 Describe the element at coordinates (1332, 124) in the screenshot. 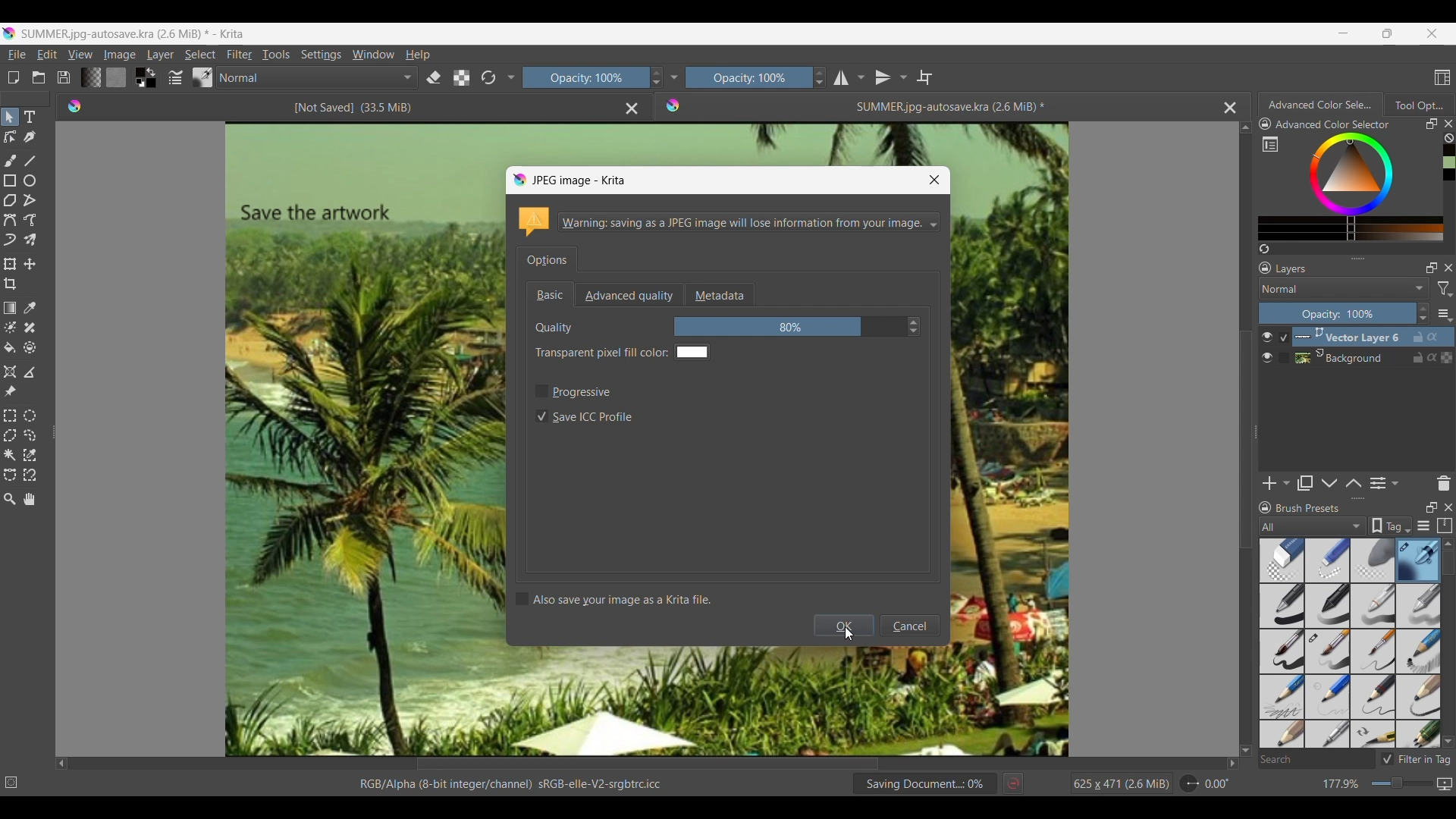

I see `Name of current color setting` at that location.